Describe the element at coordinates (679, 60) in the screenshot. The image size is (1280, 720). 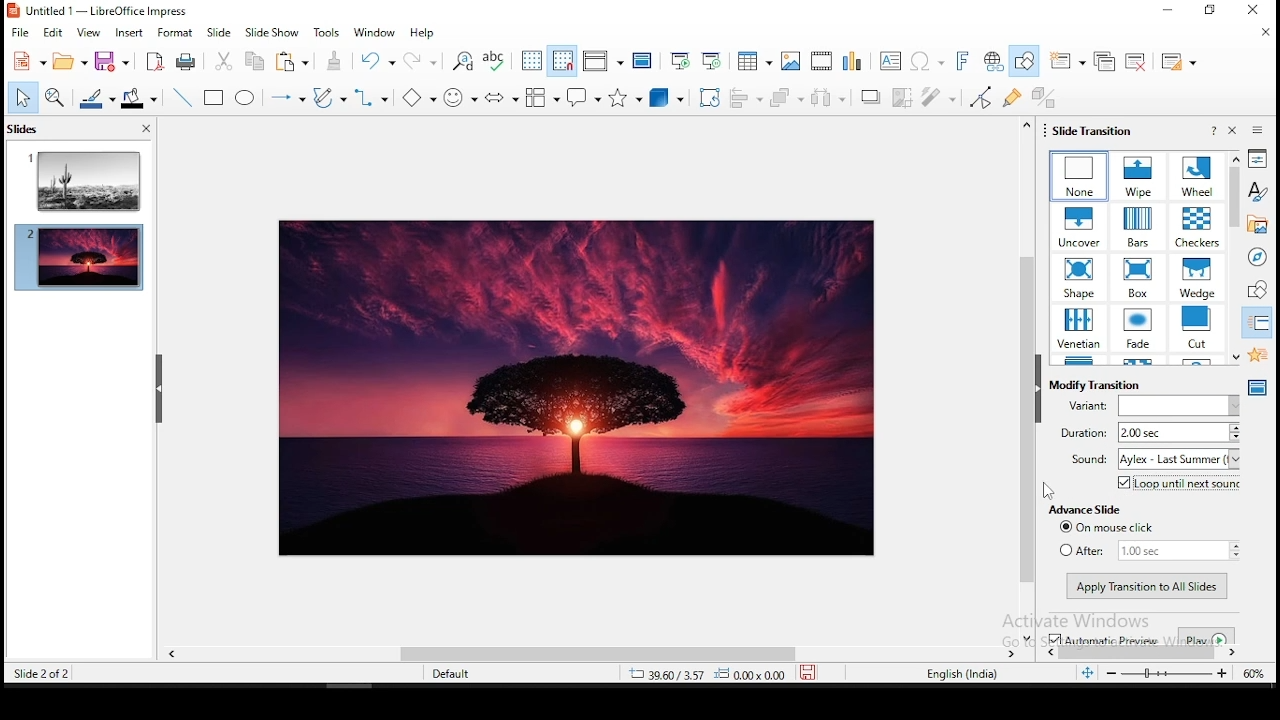
I see `start from first slide` at that location.